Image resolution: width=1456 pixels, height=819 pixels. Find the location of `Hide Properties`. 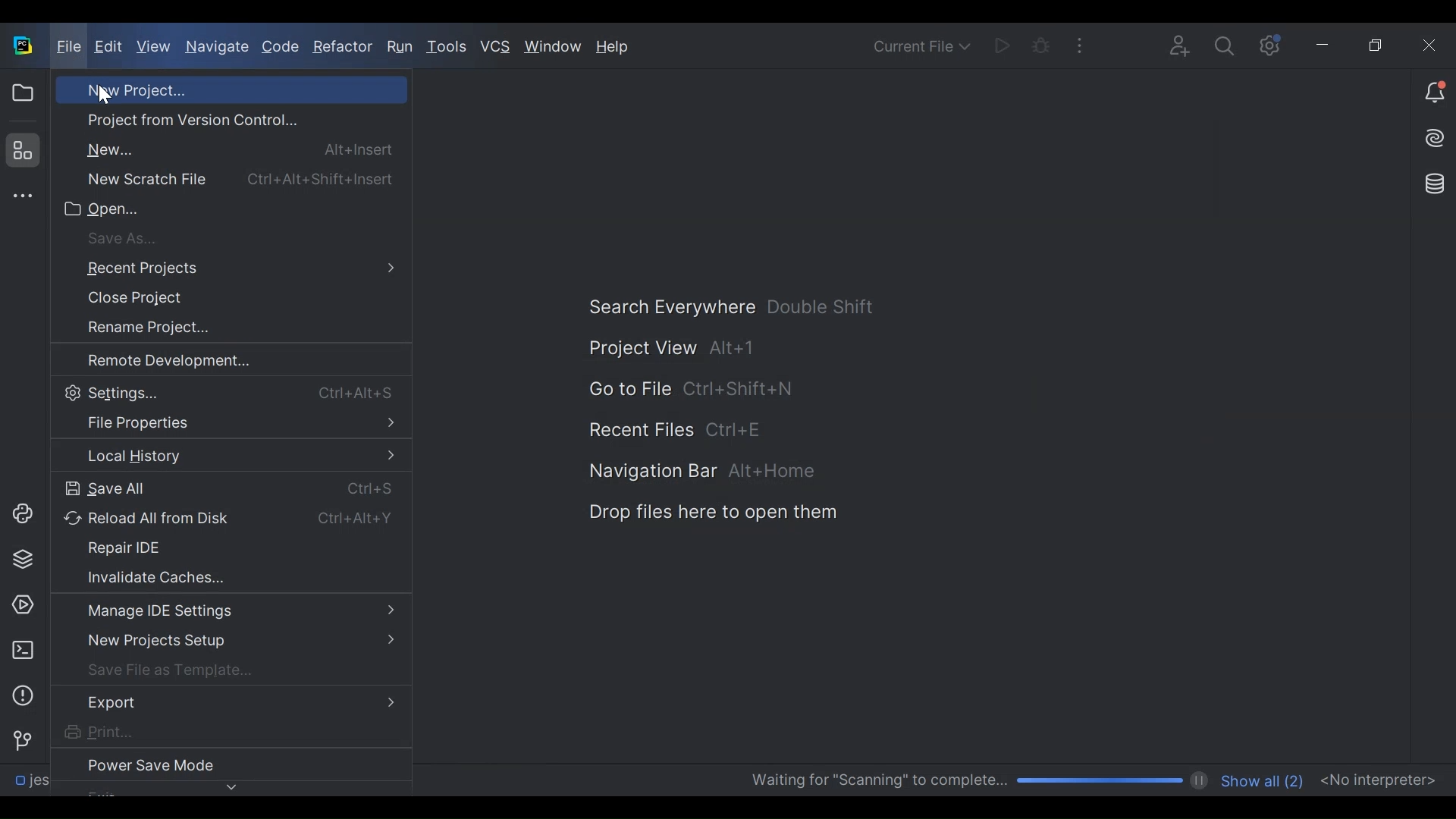

Hide Properties is located at coordinates (228, 423).